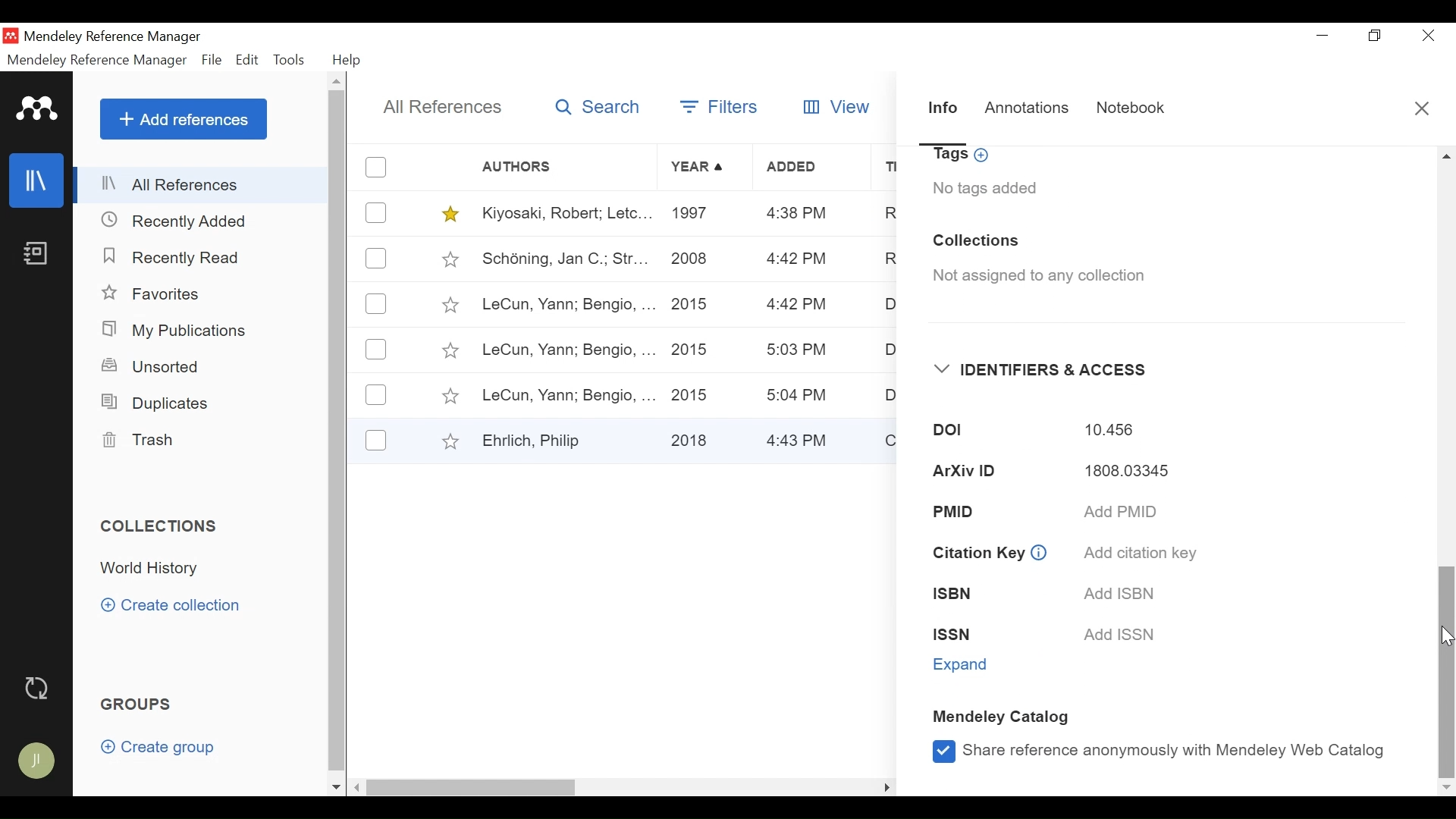 The image size is (1456, 819). What do you see at coordinates (347, 60) in the screenshot?
I see `Help` at bounding box center [347, 60].